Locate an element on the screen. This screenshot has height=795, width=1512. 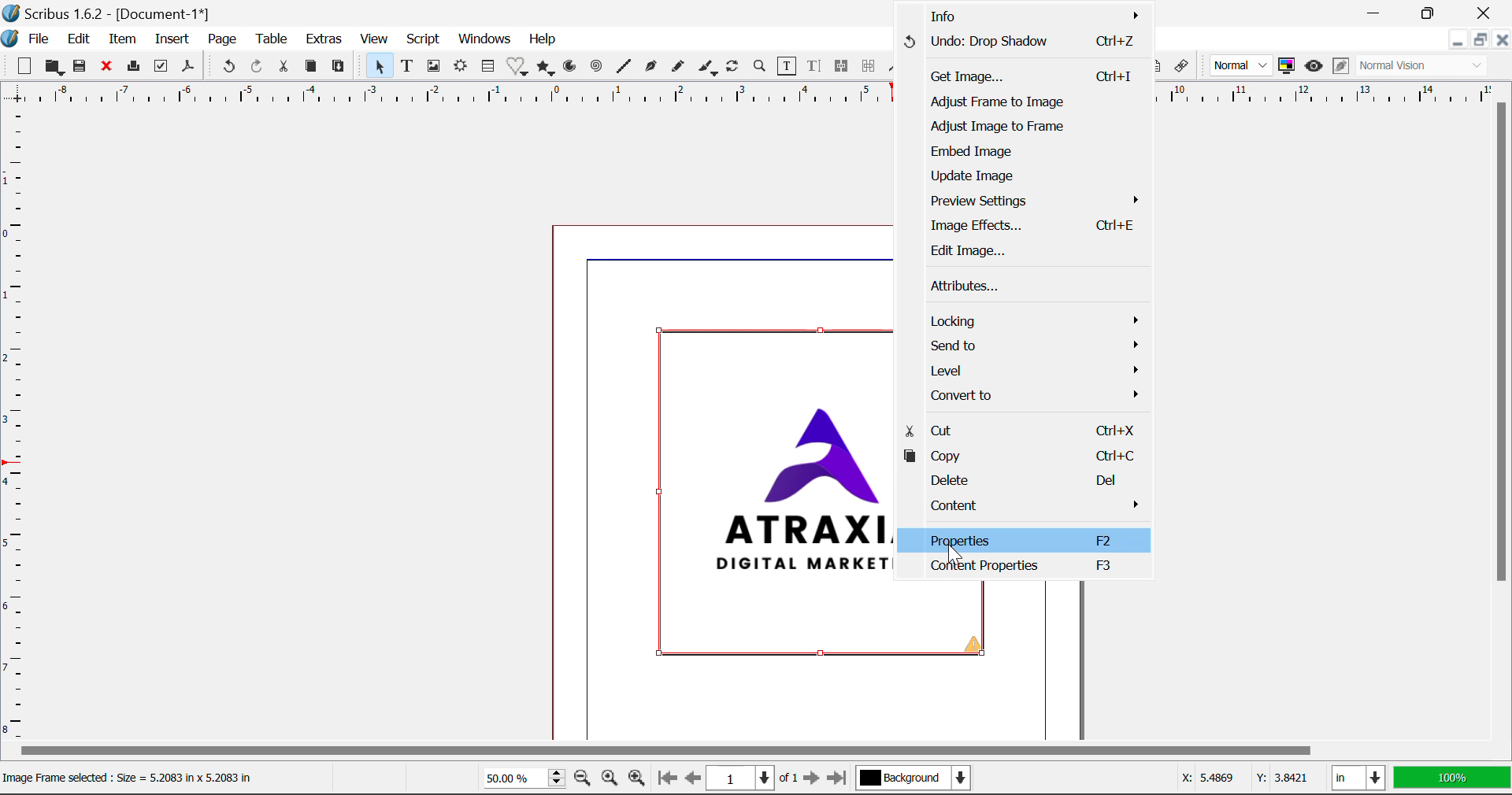
Level is located at coordinates (1036, 372).